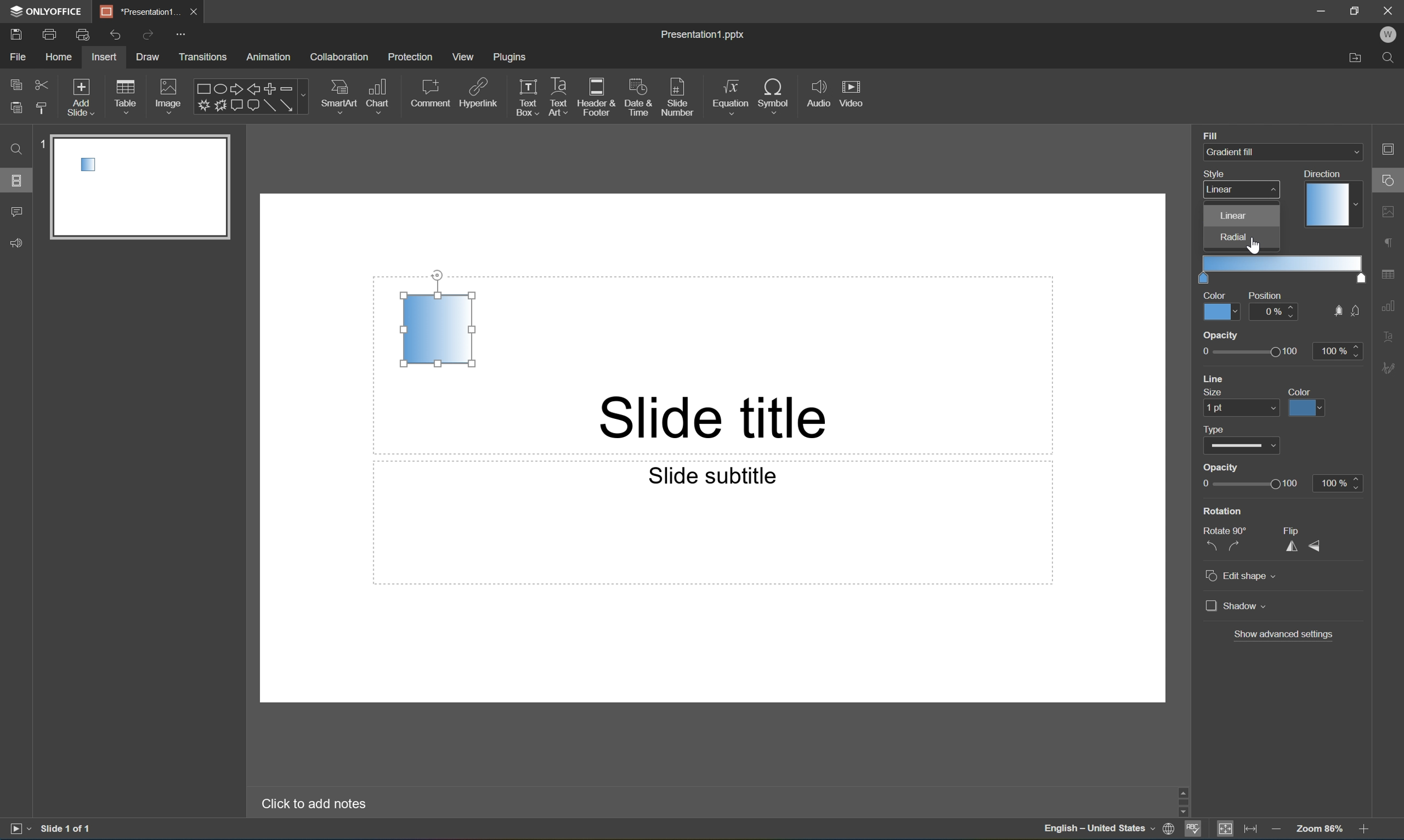 This screenshot has width=1404, height=840. I want to click on Comment, so click(432, 93).